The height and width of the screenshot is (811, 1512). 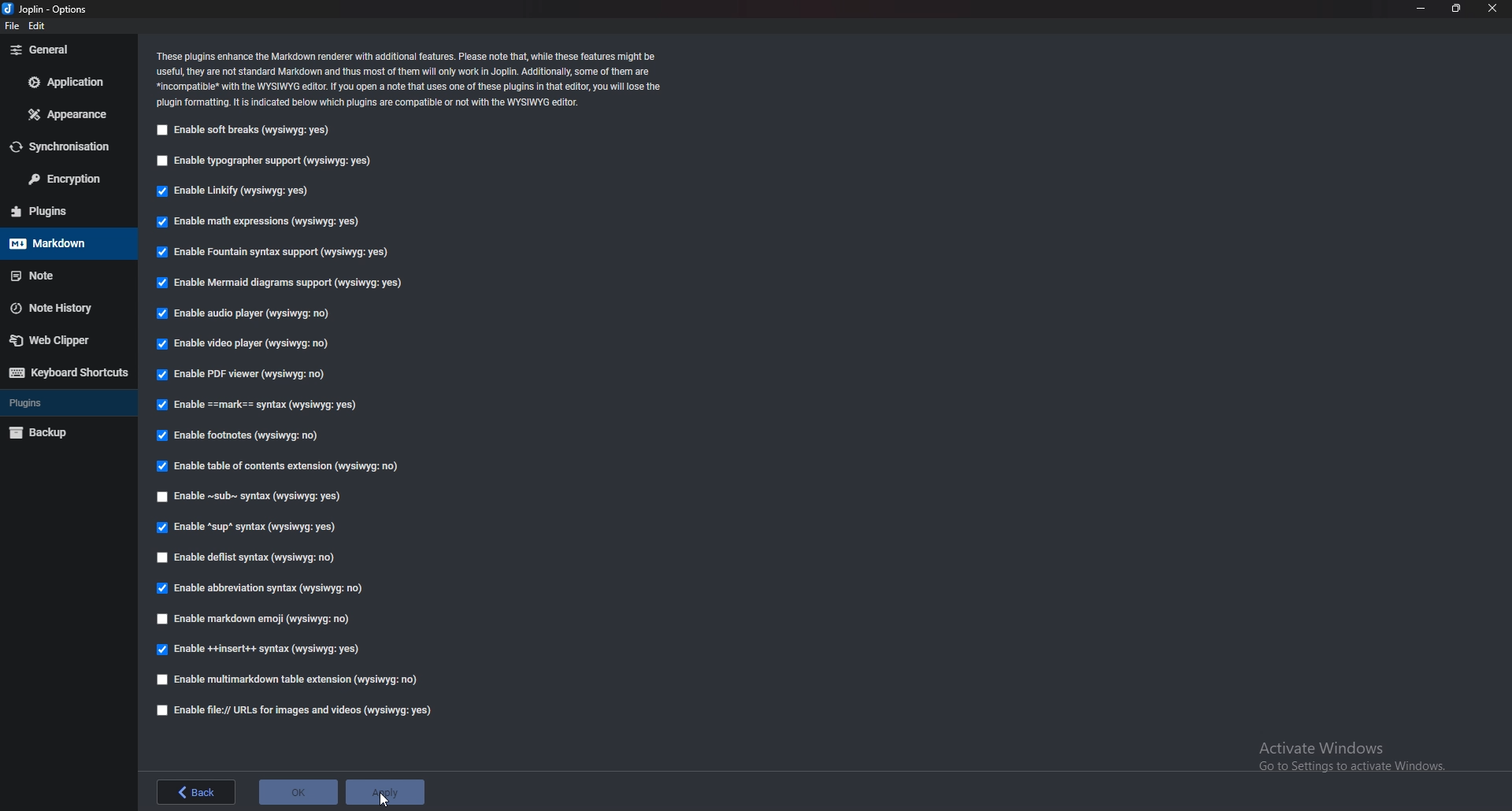 I want to click on Activate windows pop up, so click(x=1362, y=761).